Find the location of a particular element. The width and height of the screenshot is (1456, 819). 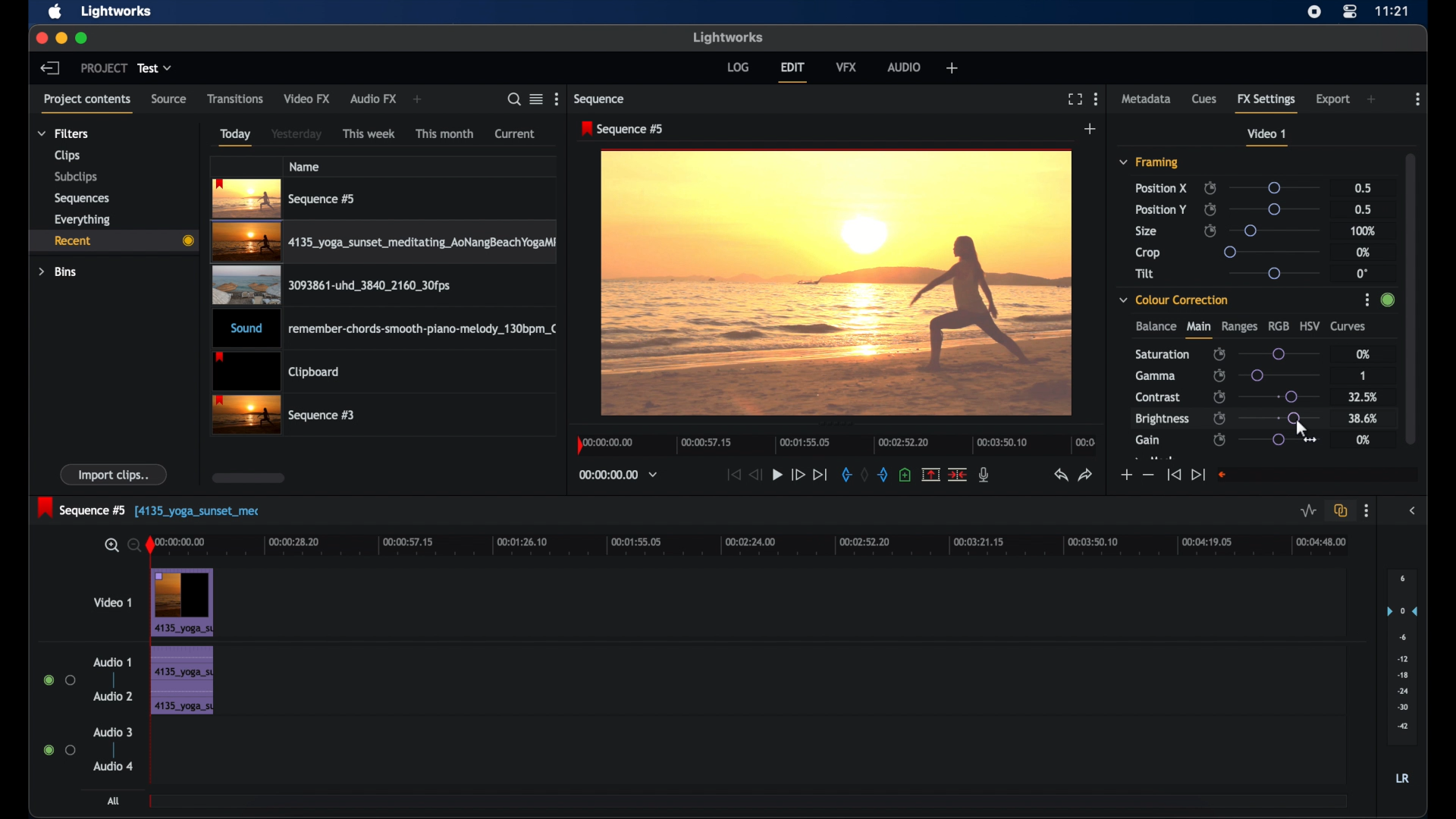

sidebar is located at coordinates (1415, 511).